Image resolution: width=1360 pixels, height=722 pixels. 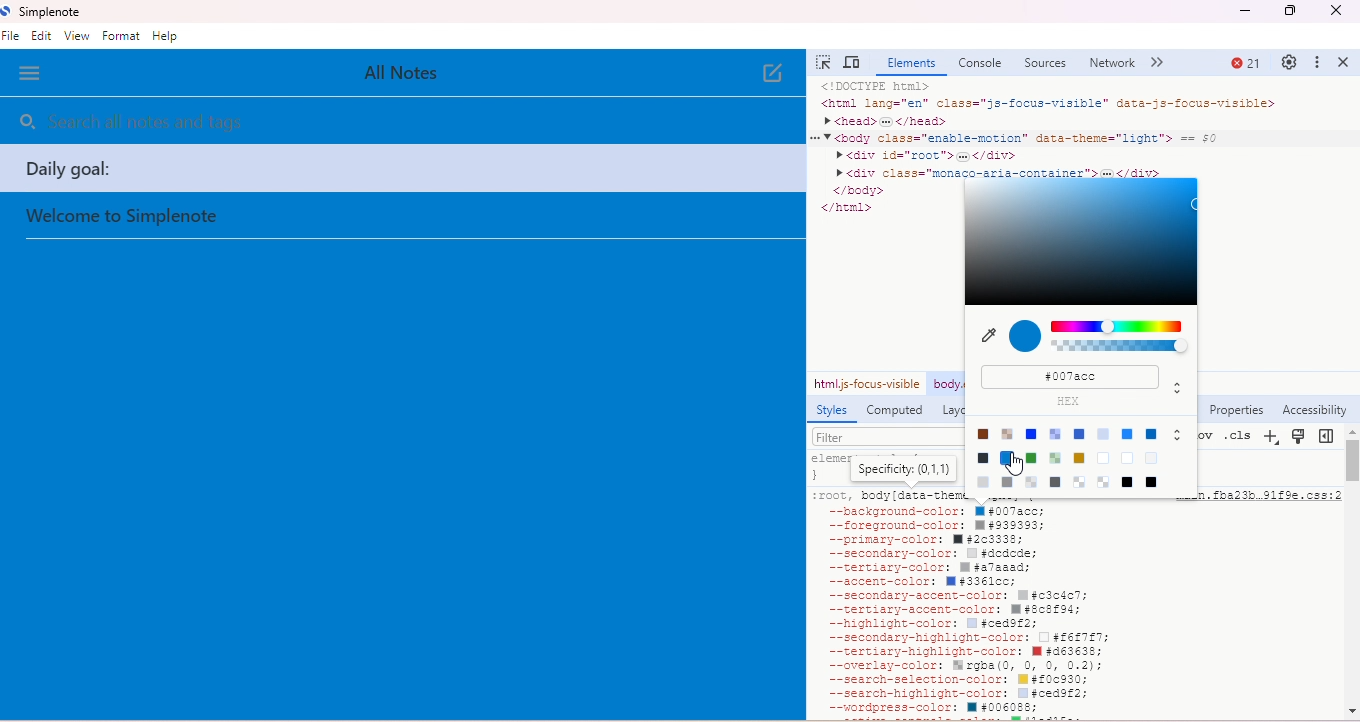 I want to click on search-highlight-color, so click(x=959, y=695).